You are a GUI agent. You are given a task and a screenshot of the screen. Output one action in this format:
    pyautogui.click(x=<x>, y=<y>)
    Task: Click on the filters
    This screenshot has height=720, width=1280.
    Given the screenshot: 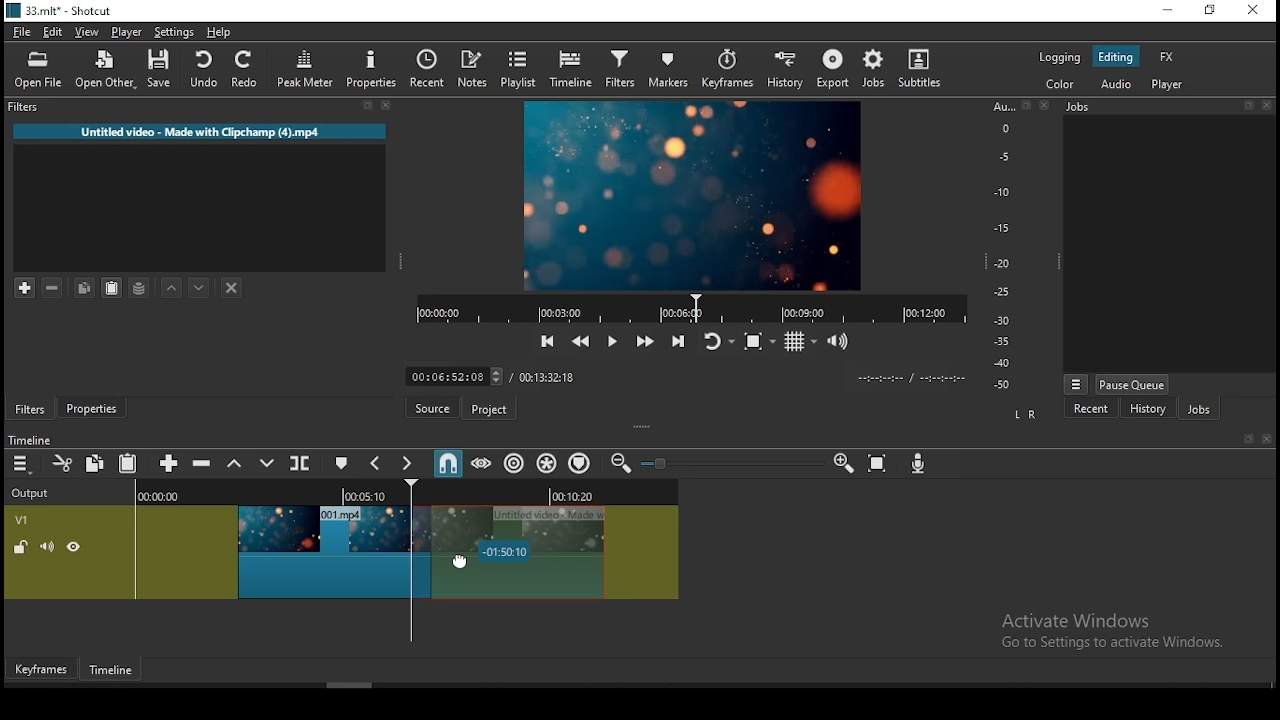 What is the action you would take?
    pyautogui.click(x=31, y=409)
    